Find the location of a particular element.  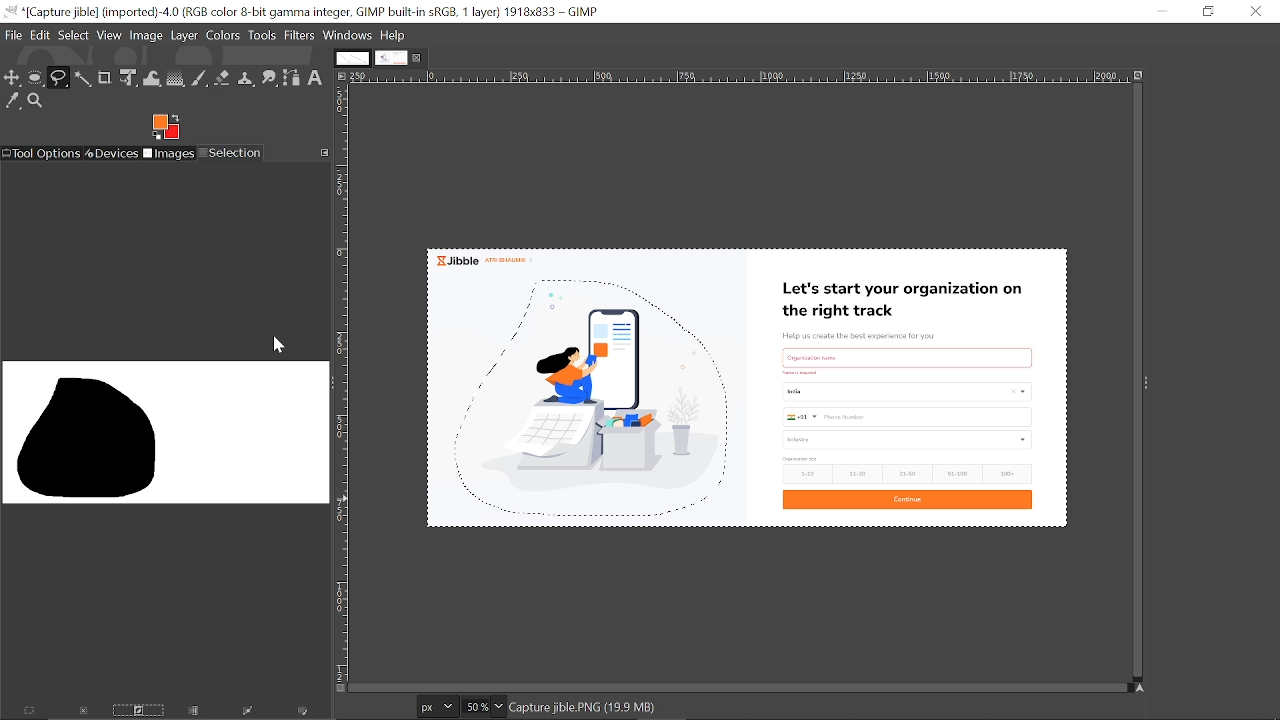

Save the selection to a channel is located at coordinates (197, 713).